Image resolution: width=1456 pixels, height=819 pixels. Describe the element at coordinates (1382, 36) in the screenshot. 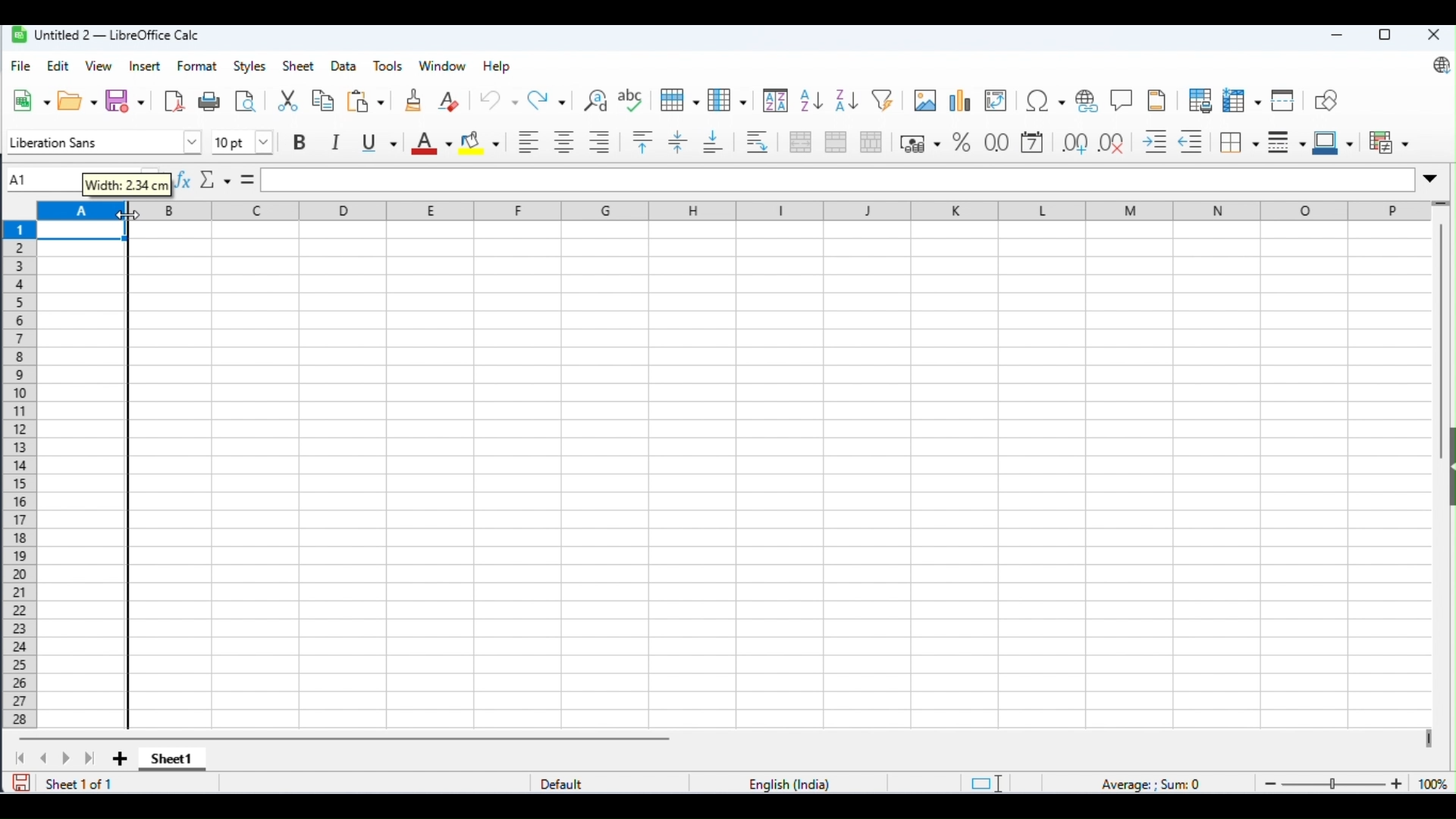

I see `maximize` at that location.